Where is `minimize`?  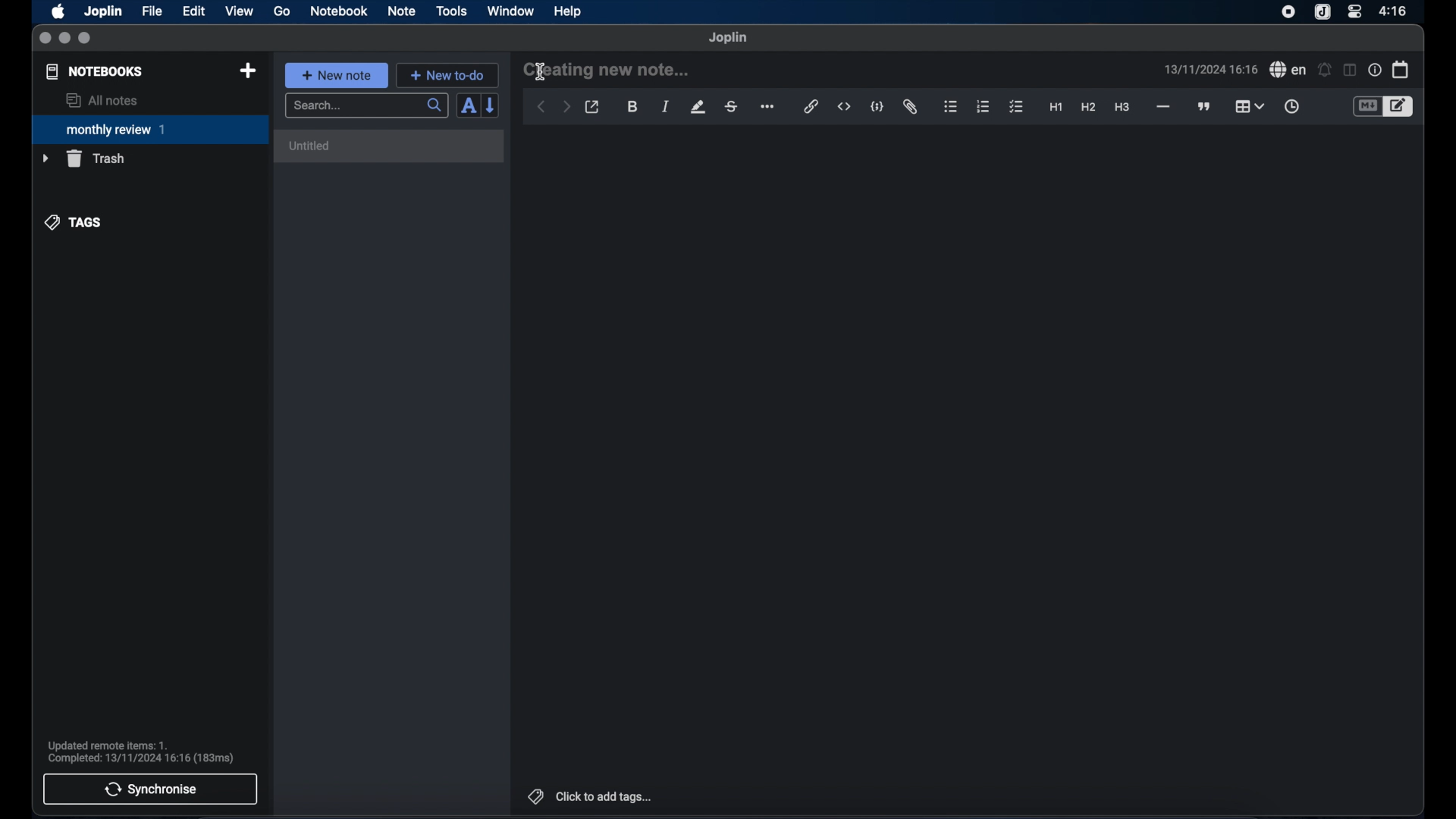 minimize is located at coordinates (64, 39).